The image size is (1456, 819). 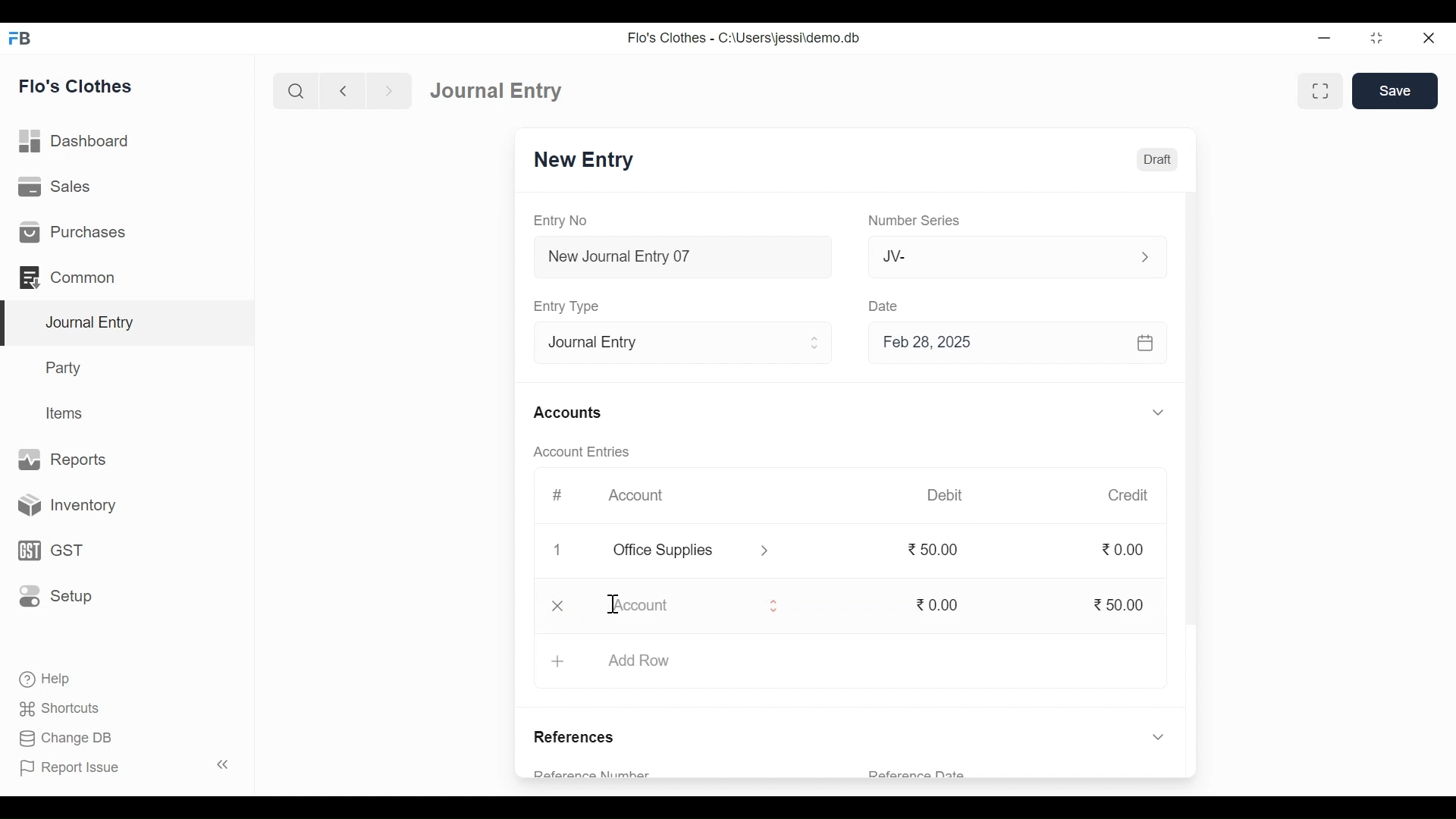 I want to click on Frappe Books Desktop Icon, so click(x=20, y=39).